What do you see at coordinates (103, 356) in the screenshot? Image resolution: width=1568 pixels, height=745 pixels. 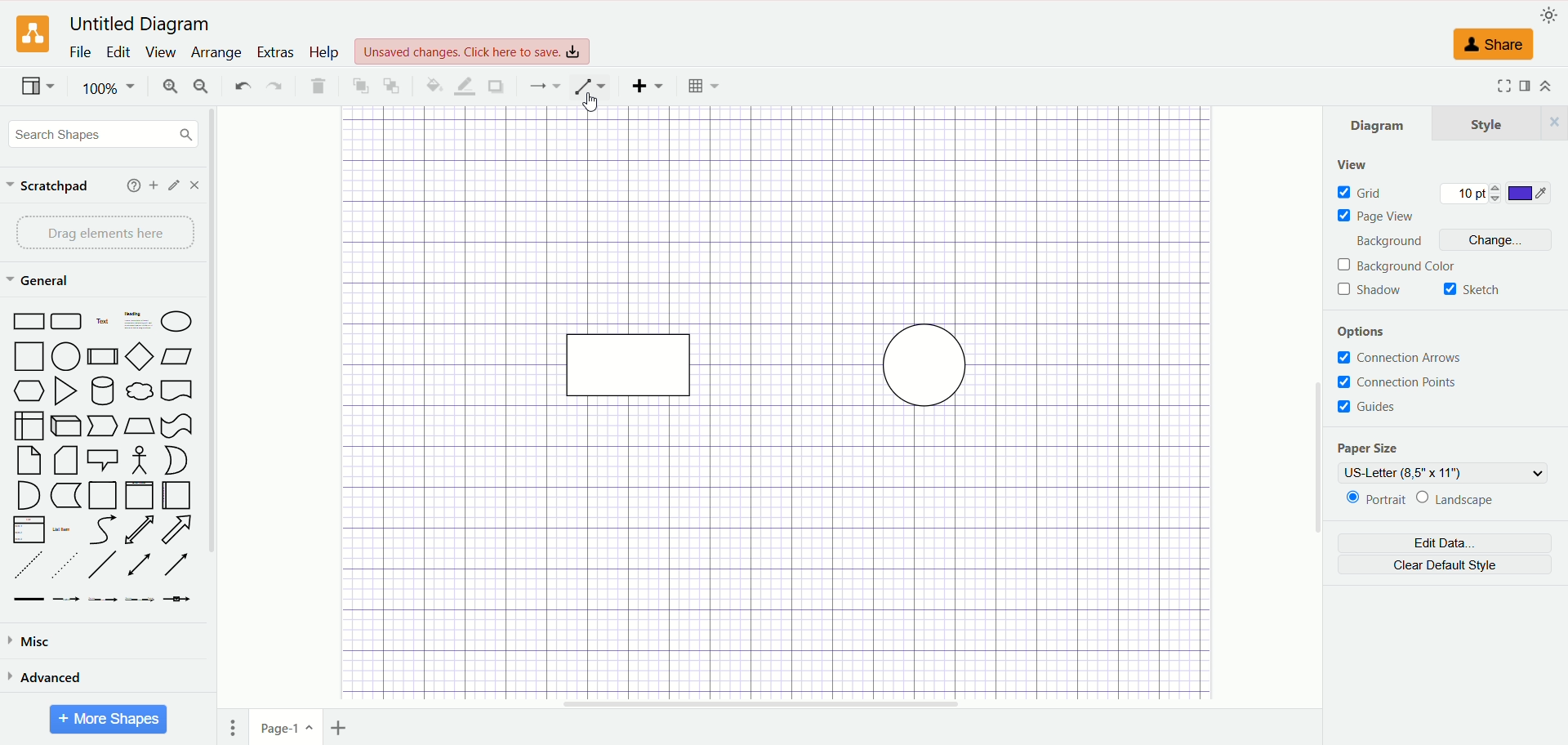 I see `Divided Bar` at bounding box center [103, 356].